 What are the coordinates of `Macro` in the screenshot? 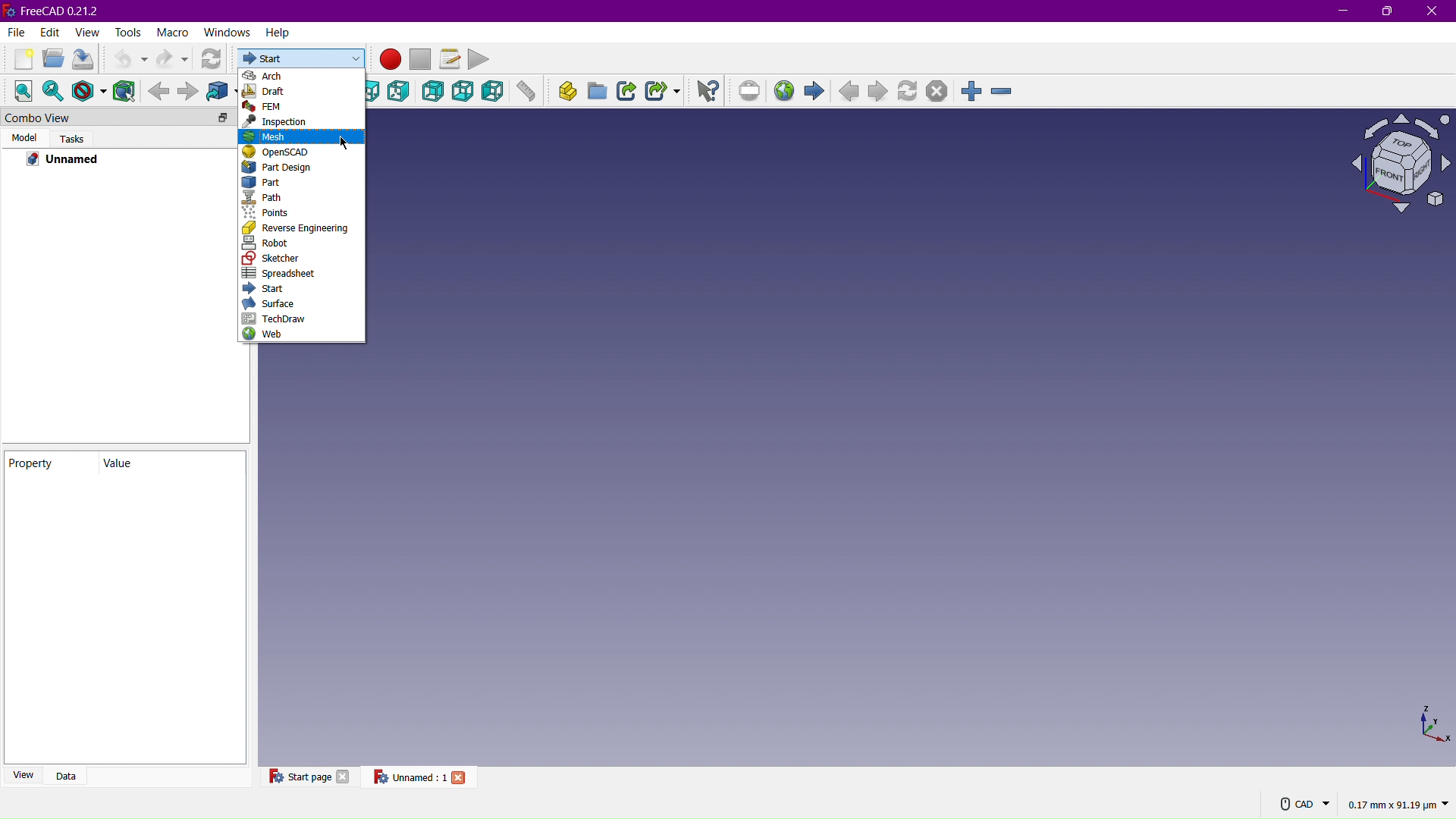 It's located at (172, 32).